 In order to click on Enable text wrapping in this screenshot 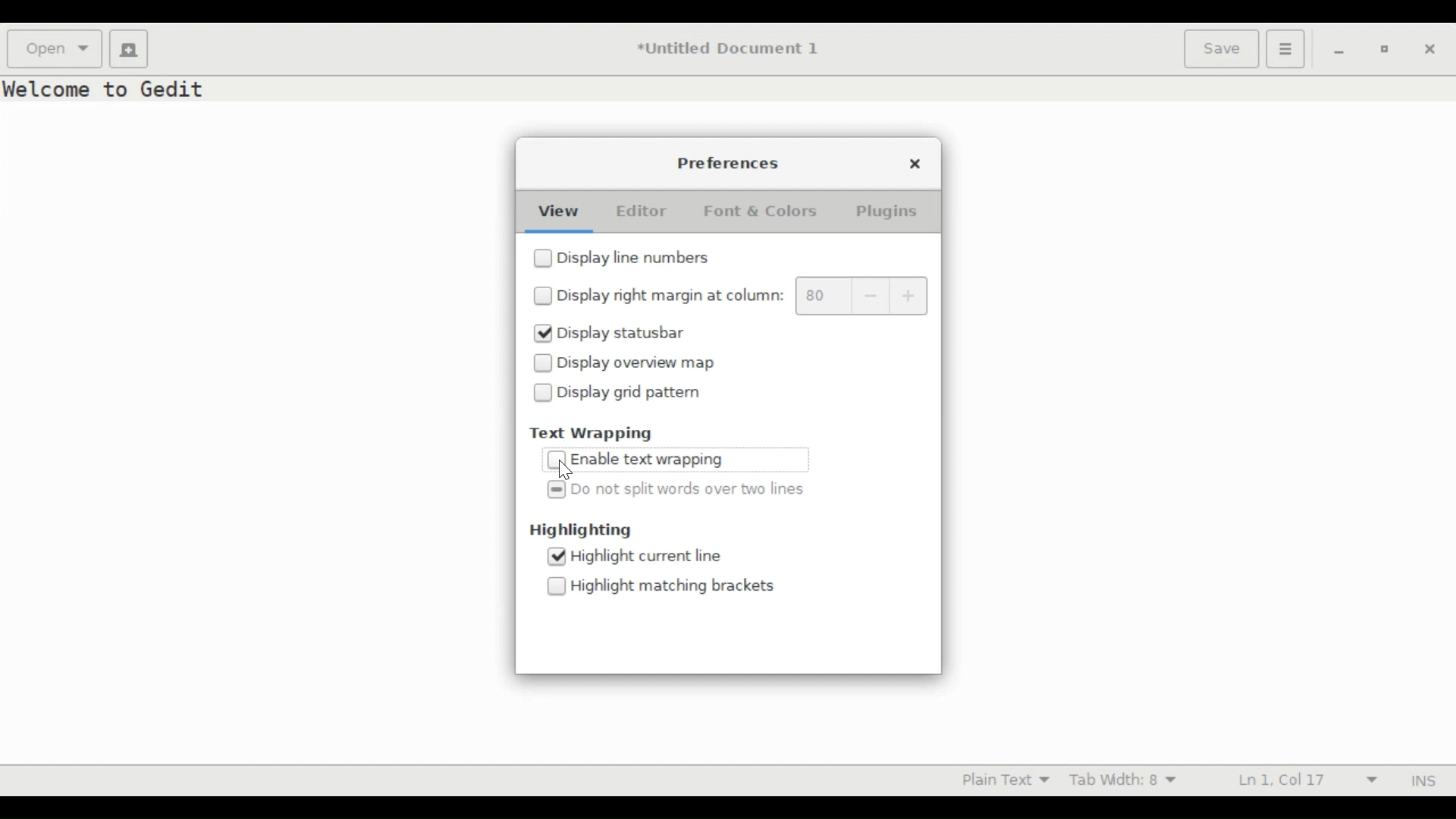, I will do `click(651, 460)`.